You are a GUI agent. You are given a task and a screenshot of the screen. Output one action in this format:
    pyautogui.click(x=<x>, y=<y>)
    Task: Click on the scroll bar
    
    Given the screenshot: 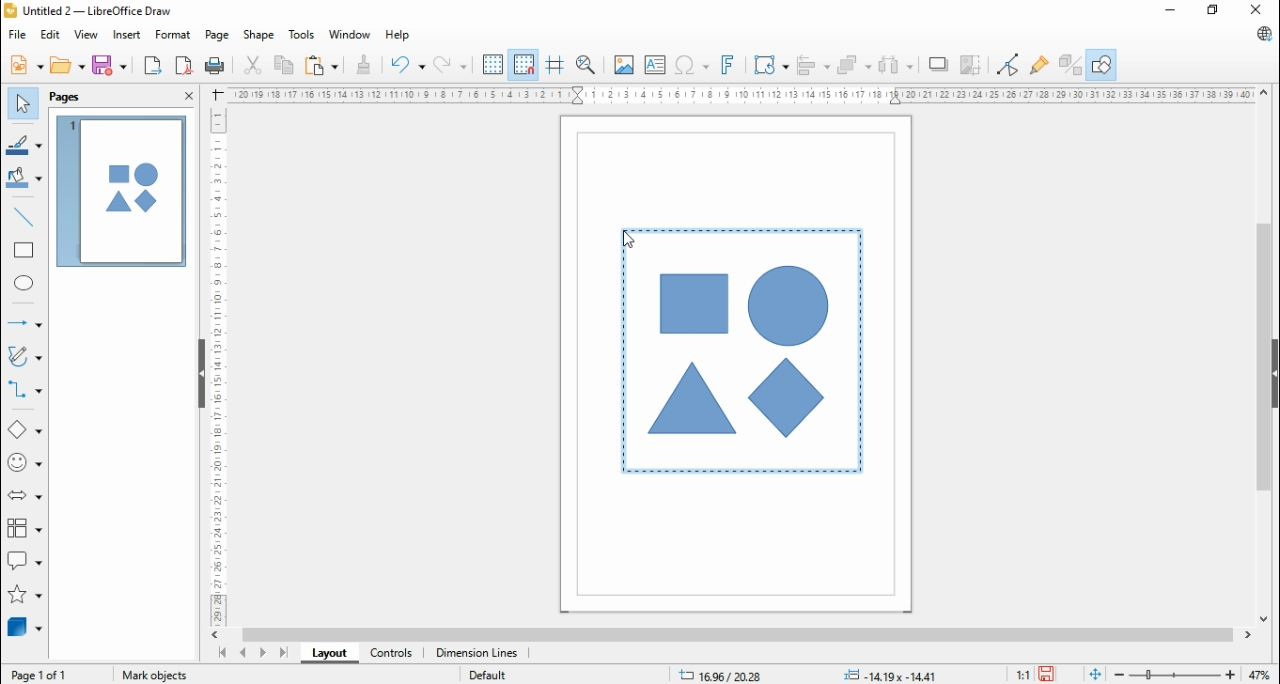 What is the action you would take?
    pyautogui.click(x=1264, y=355)
    